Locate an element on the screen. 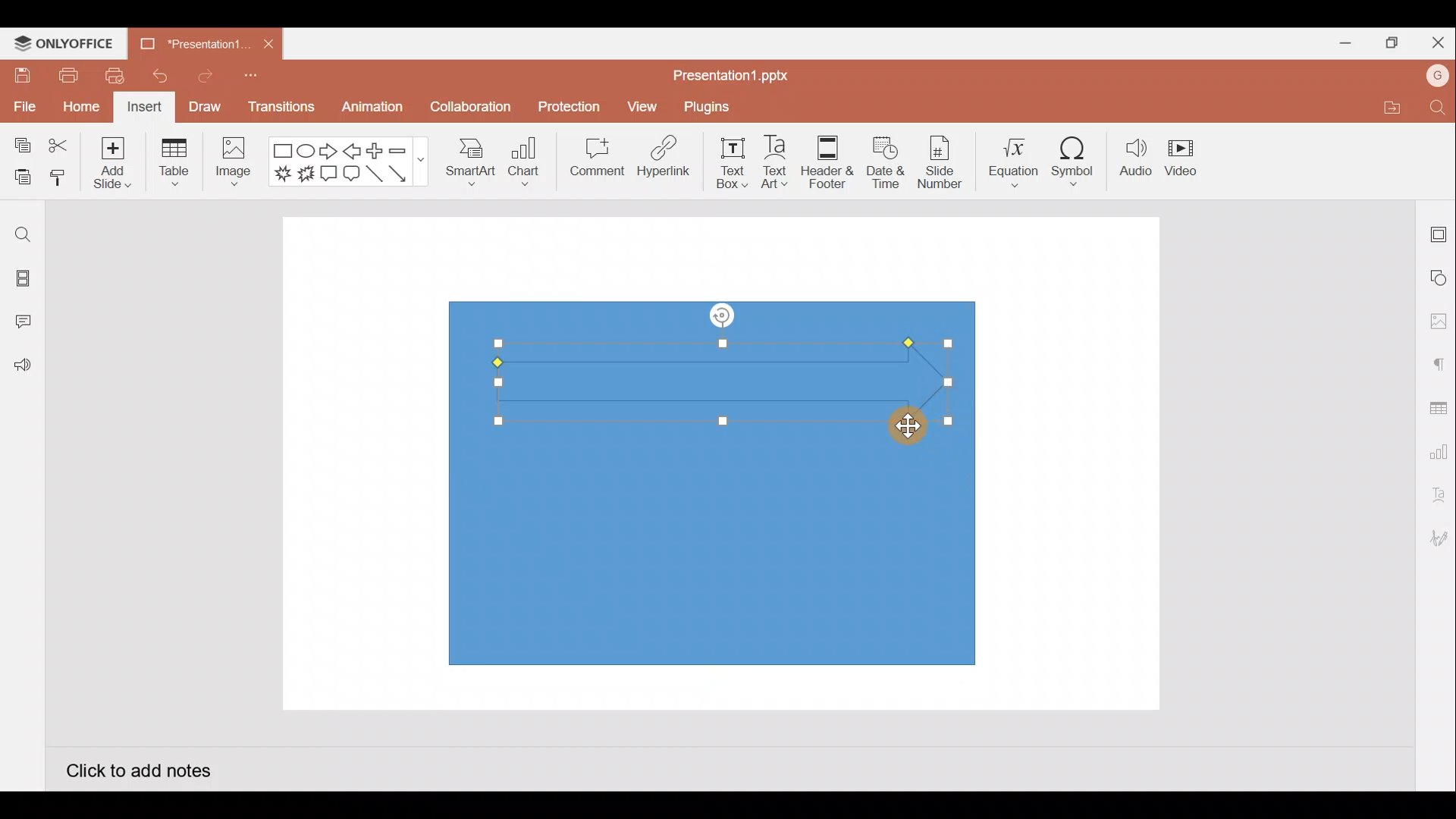  Rectangle is located at coordinates (284, 152).